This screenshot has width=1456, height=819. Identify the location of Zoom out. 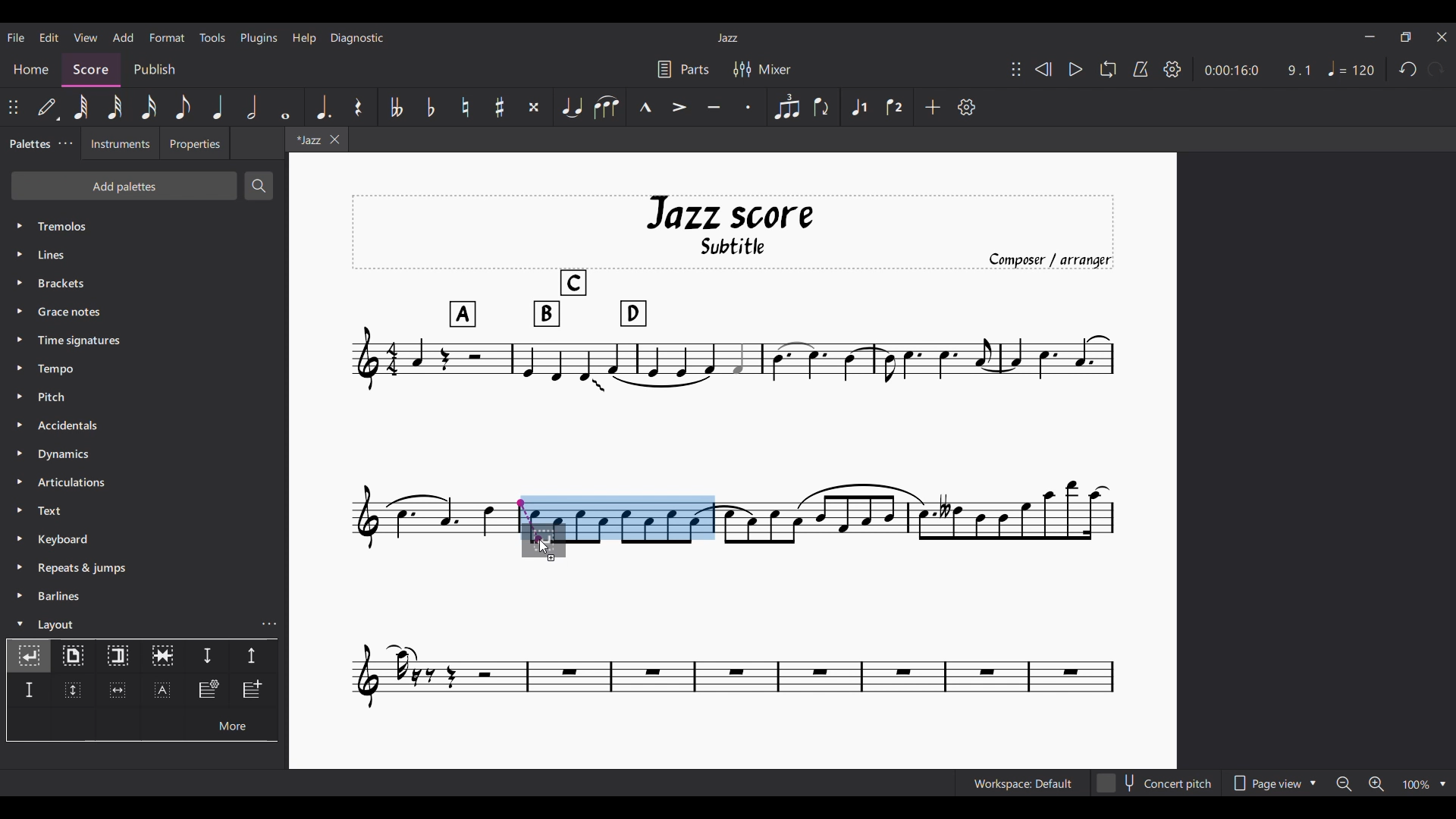
(1344, 783).